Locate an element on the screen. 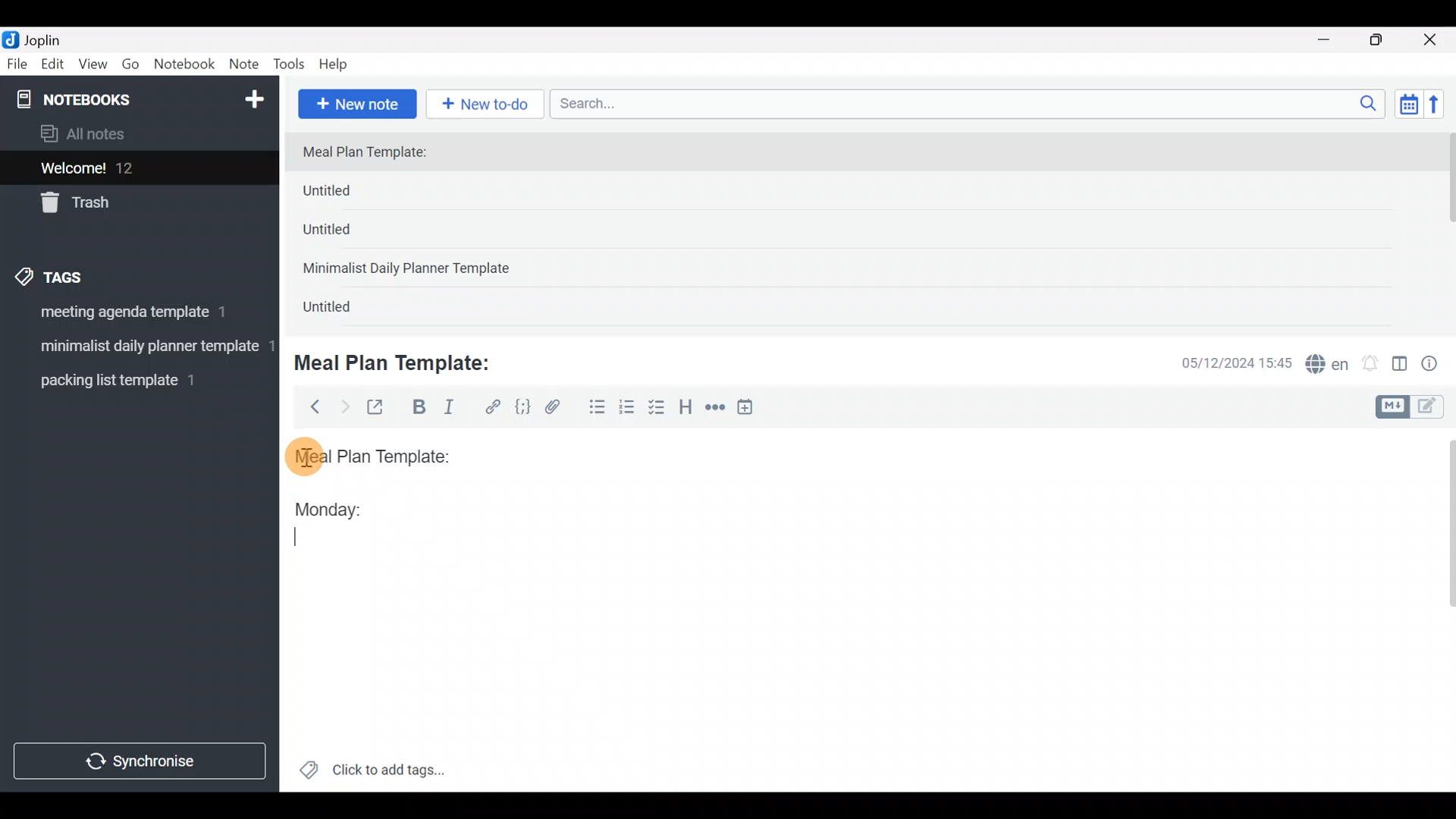 This screenshot has width=1456, height=819. Note properties is located at coordinates (1436, 365).